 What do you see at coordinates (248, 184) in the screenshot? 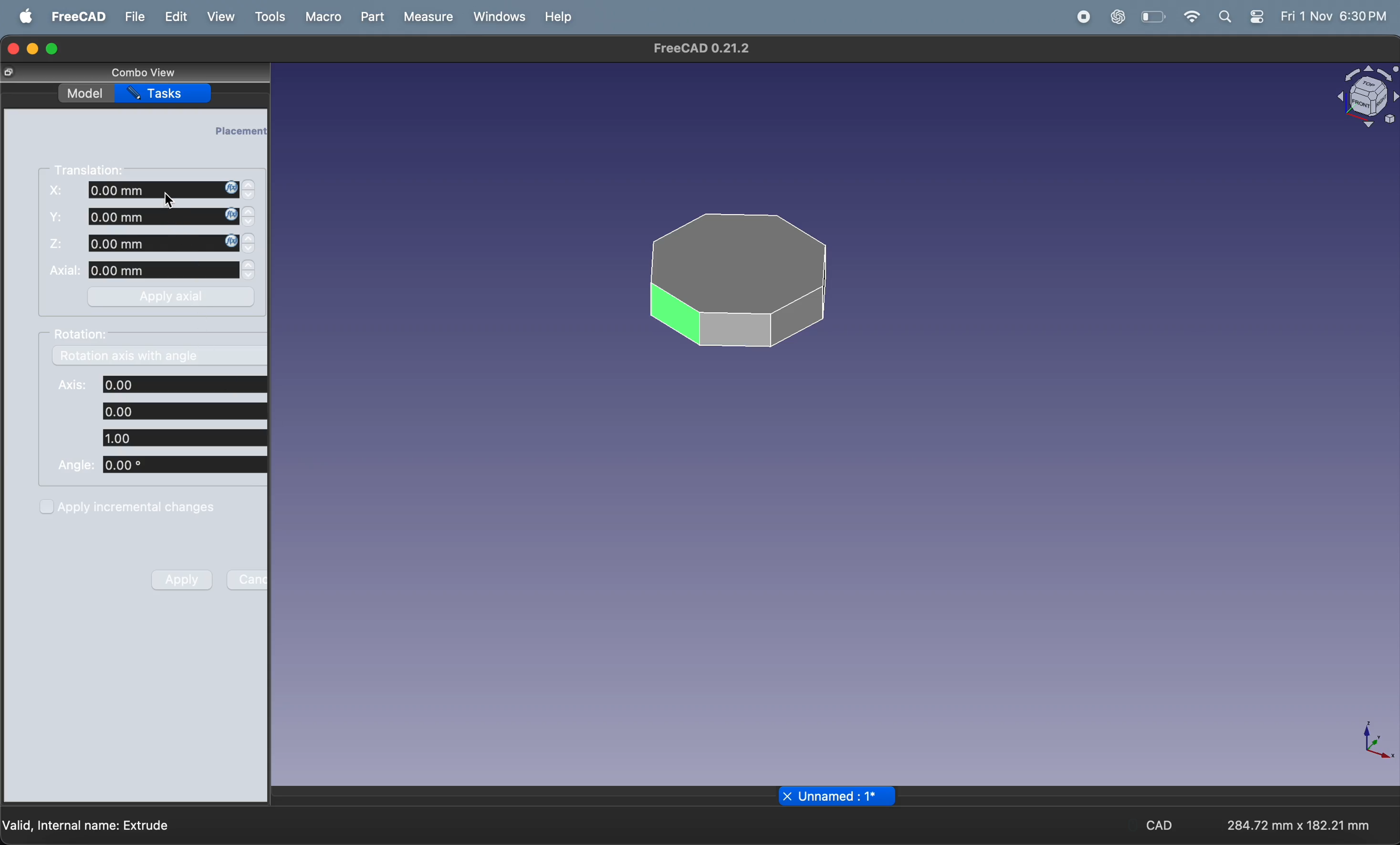
I see `Up` at bounding box center [248, 184].